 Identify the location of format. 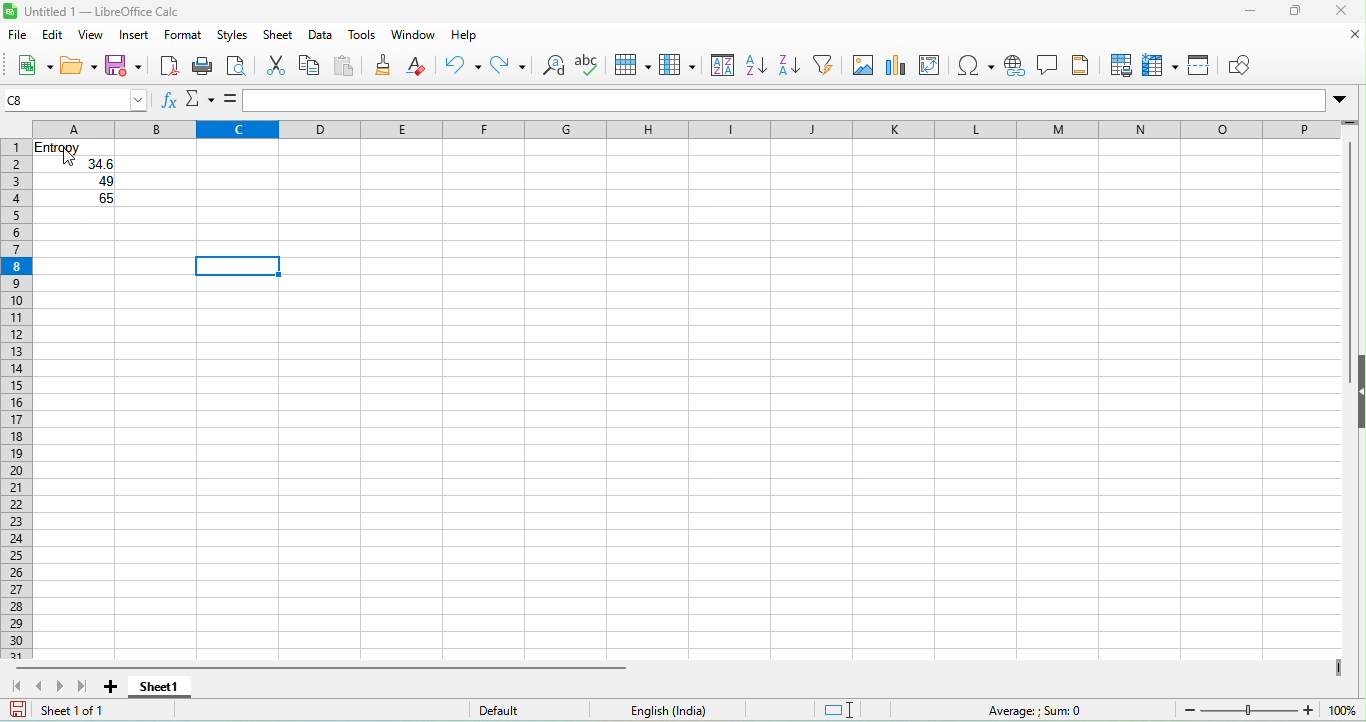
(181, 37).